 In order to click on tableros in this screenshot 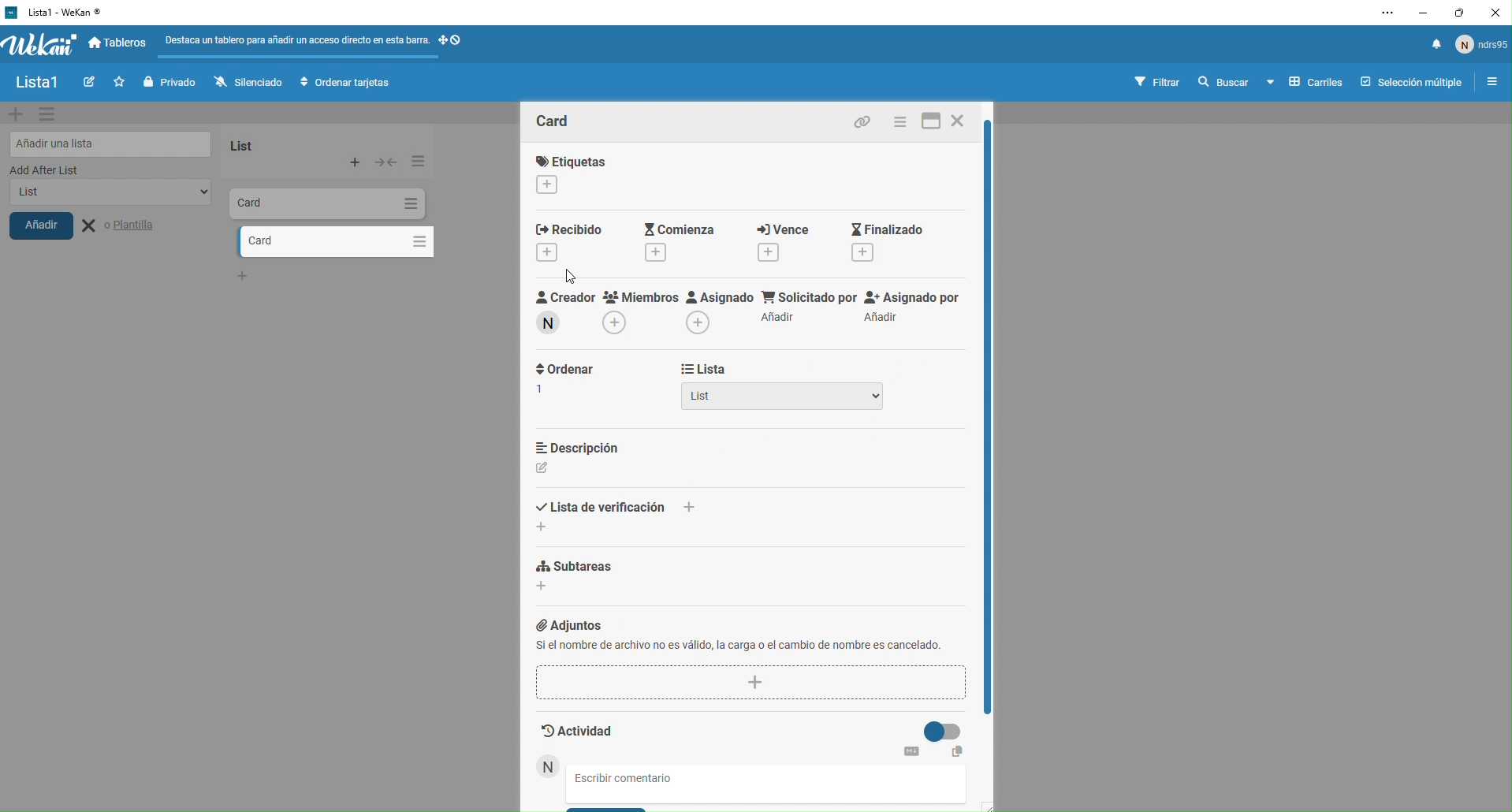, I will do `click(121, 44)`.